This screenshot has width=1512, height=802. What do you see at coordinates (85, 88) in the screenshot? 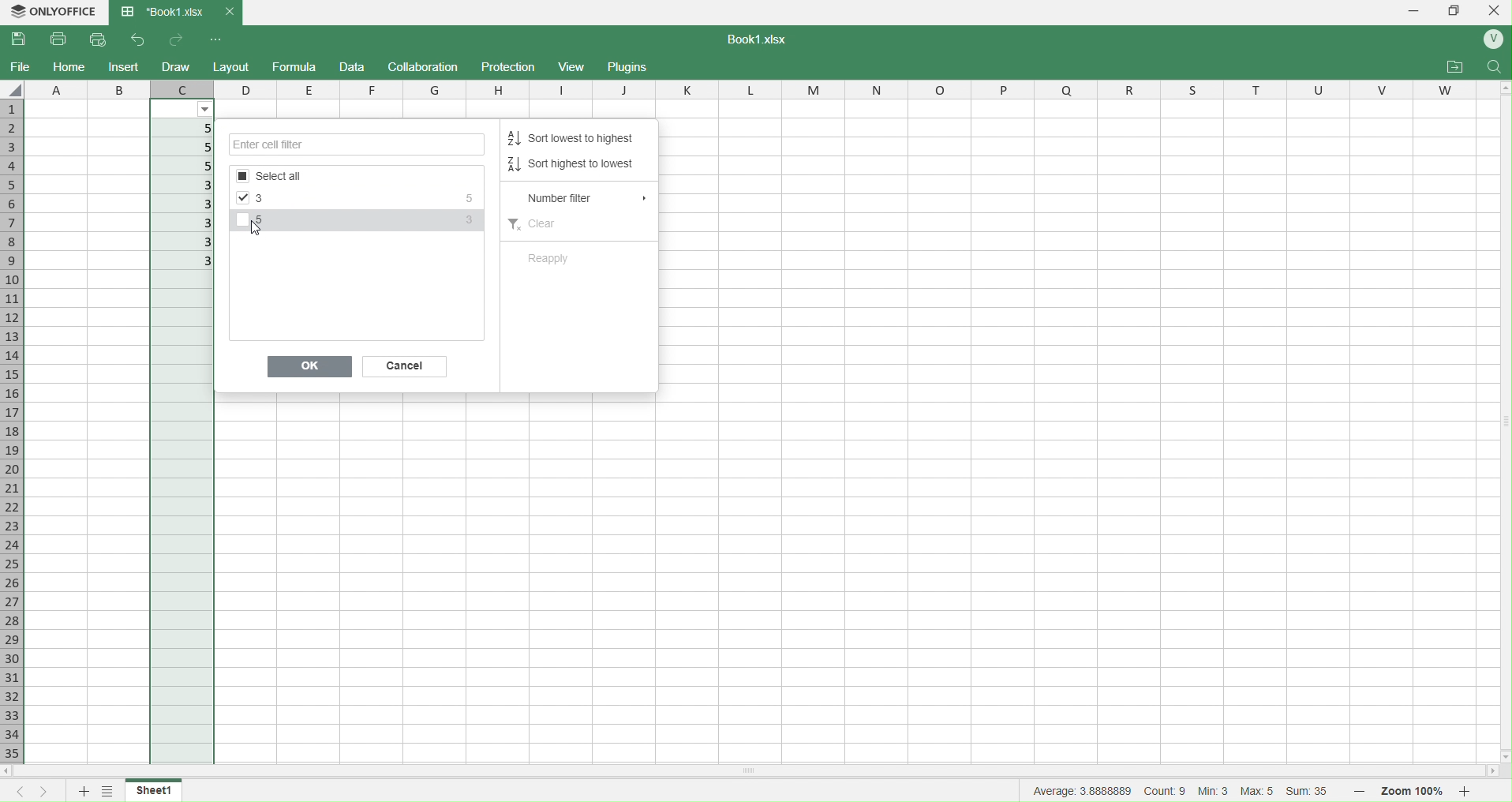
I see `columns` at bounding box center [85, 88].